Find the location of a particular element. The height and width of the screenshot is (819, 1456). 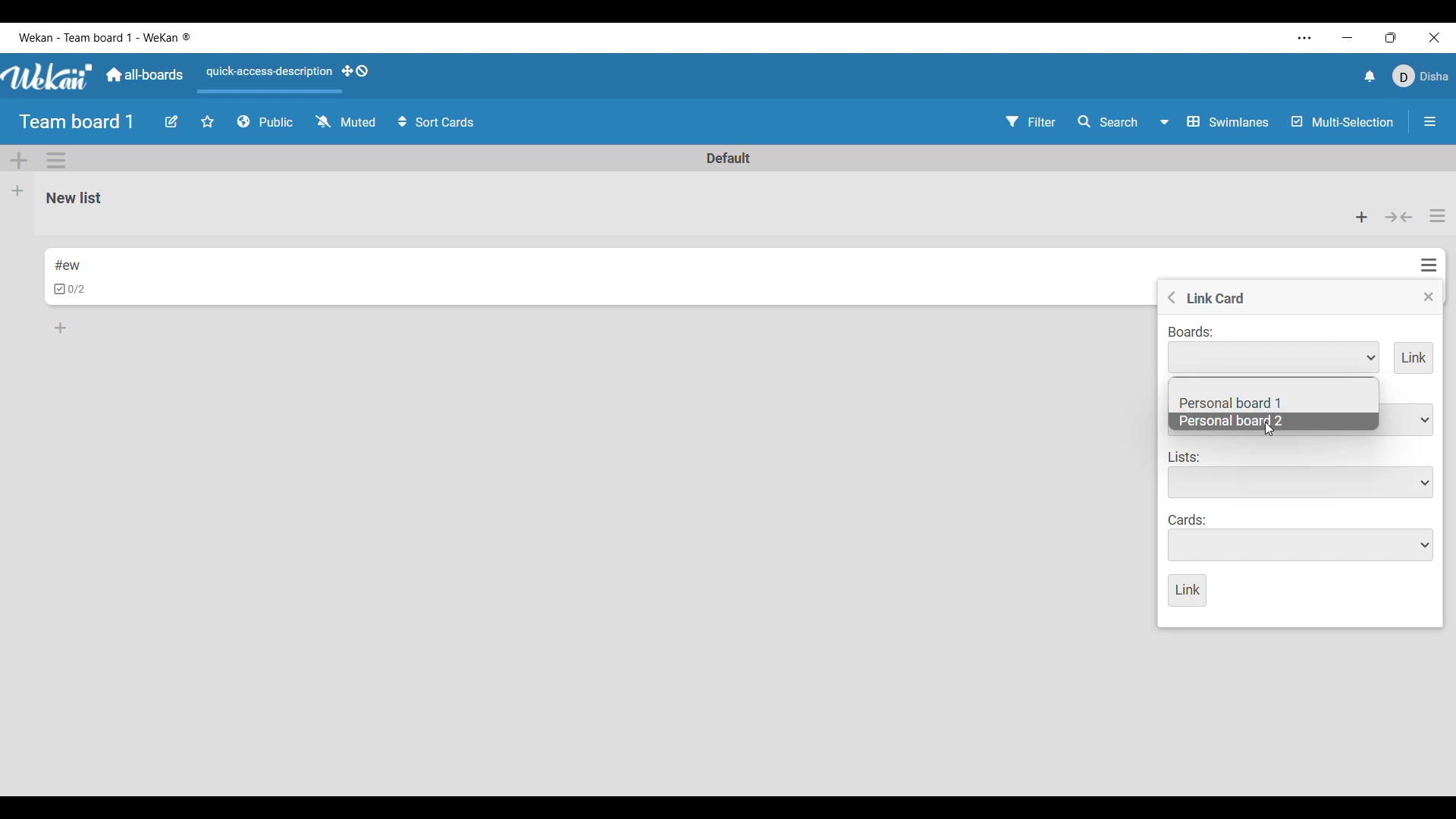

Show desktop drag handles is located at coordinates (355, 71).